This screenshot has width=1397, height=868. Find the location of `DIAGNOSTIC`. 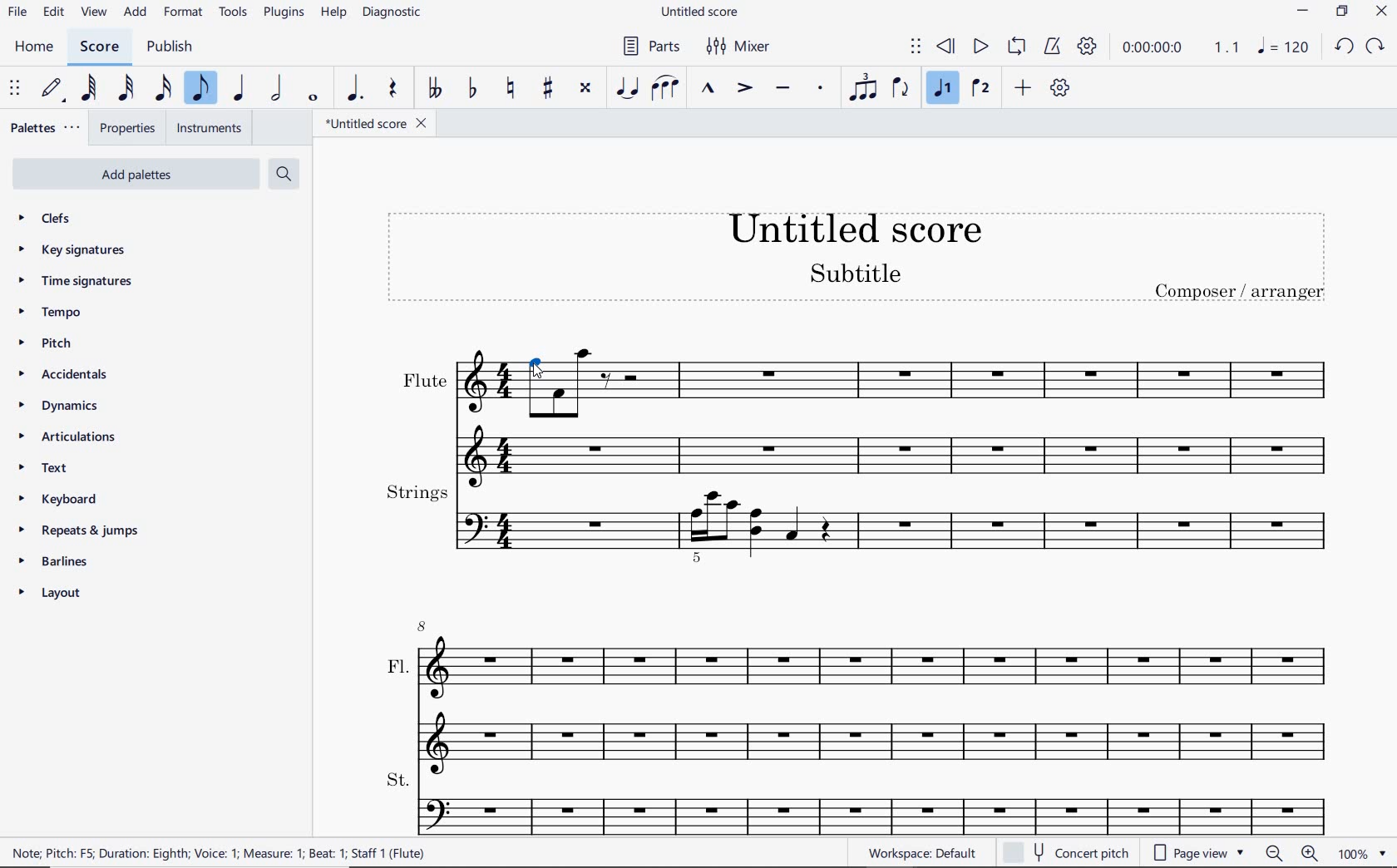

DIAGNOSTIC is located at coordinates (395, 13).